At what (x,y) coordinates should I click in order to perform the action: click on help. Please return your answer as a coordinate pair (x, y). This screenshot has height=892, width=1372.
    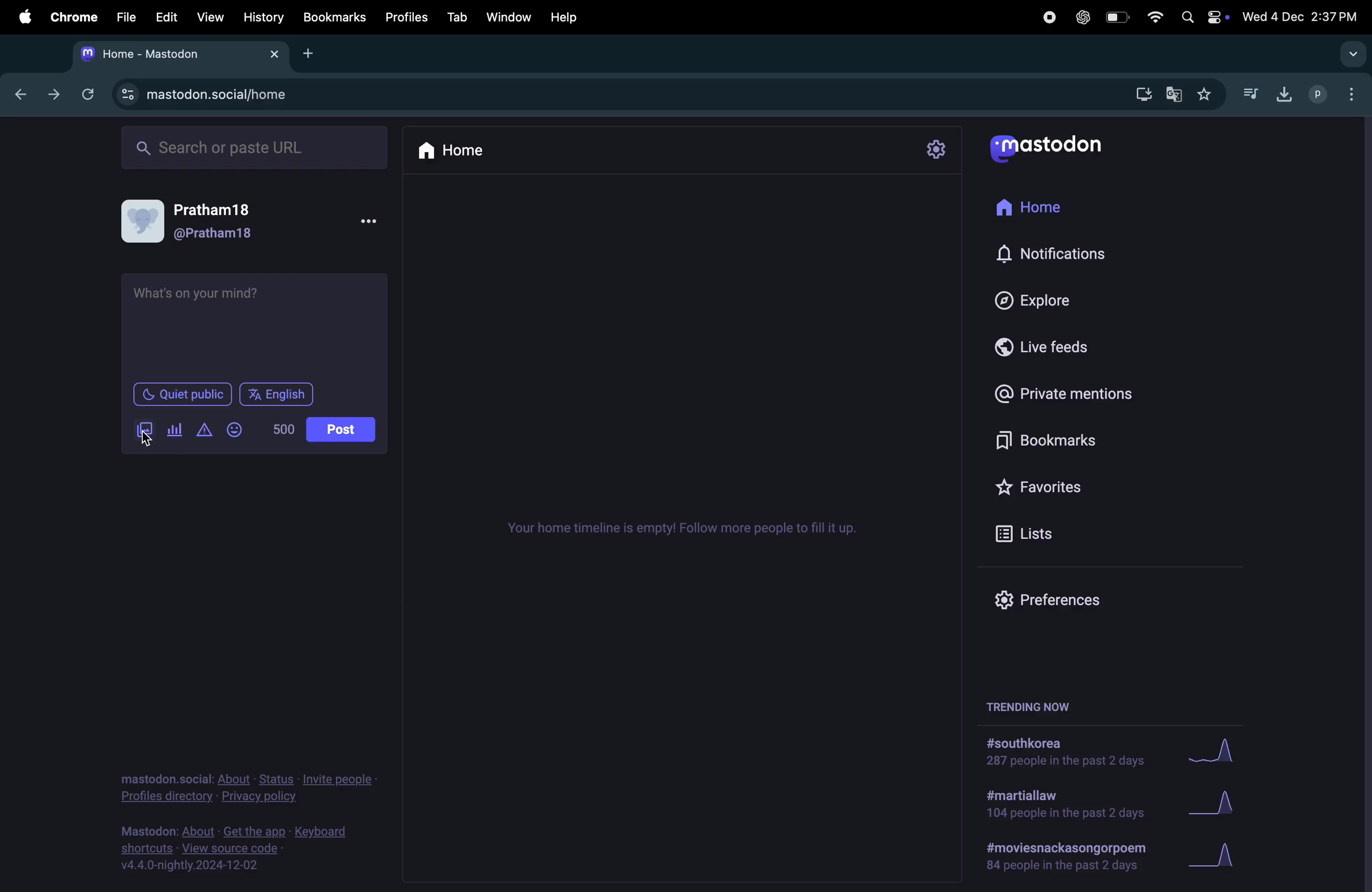
    Looking at the image, I should click on (563, 17).